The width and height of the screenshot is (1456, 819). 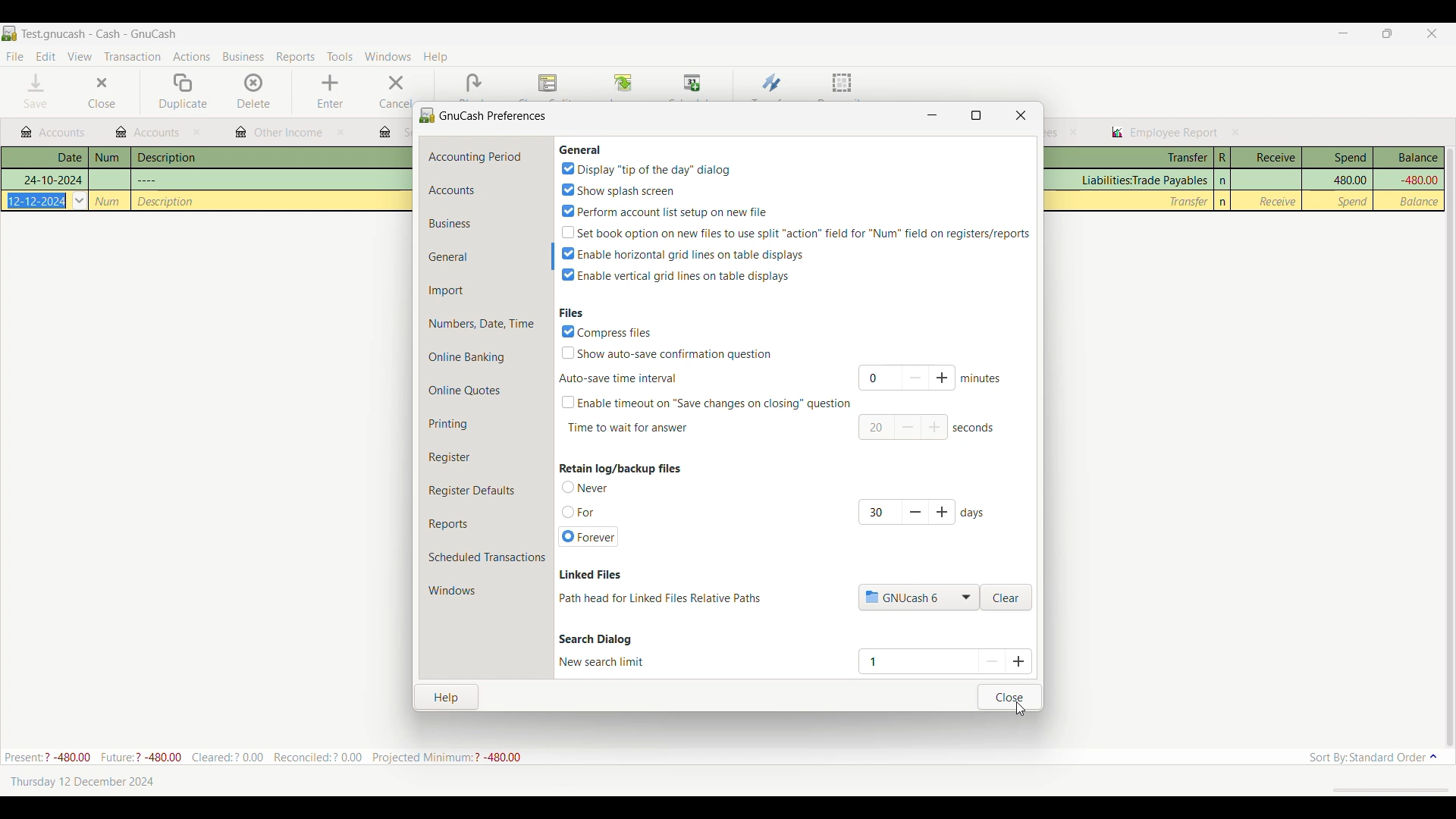 What do you see at coordinates (487, 290) in the screenshot?
I see `Import` at bounding box center [487, 290].